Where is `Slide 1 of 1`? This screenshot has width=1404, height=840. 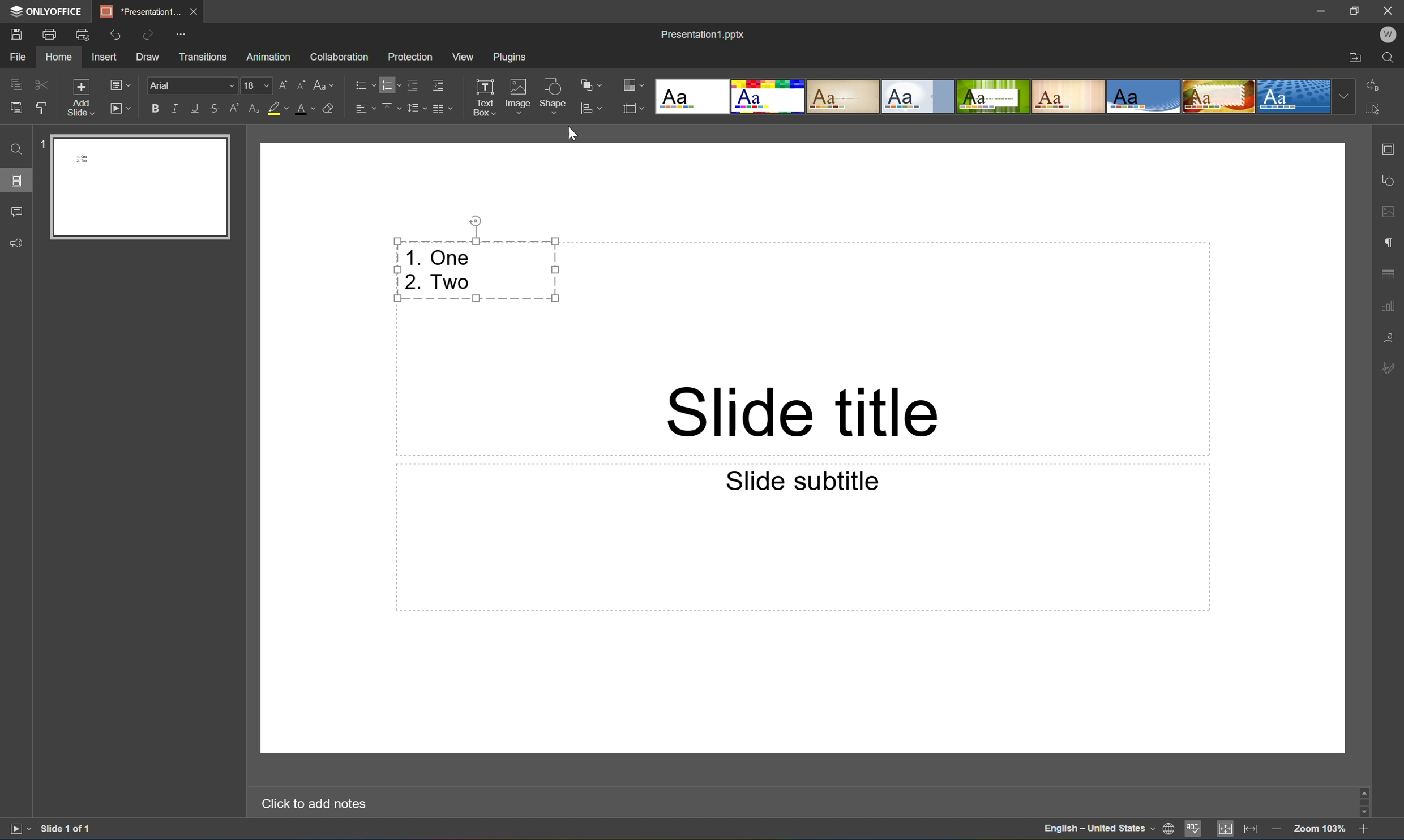
Slide 1 of 1 is located at coordinates (69, 828).